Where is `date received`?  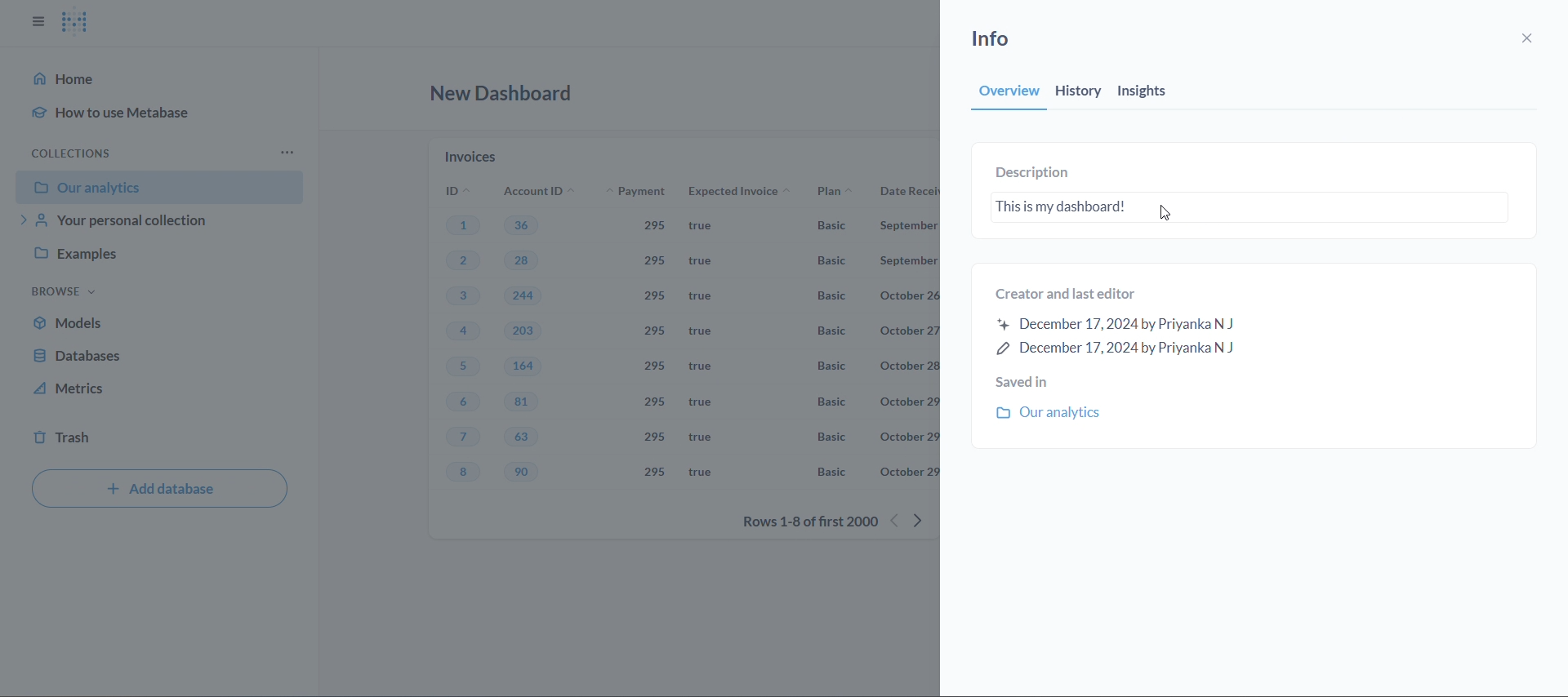
date received is located at coordinates (904, 194).